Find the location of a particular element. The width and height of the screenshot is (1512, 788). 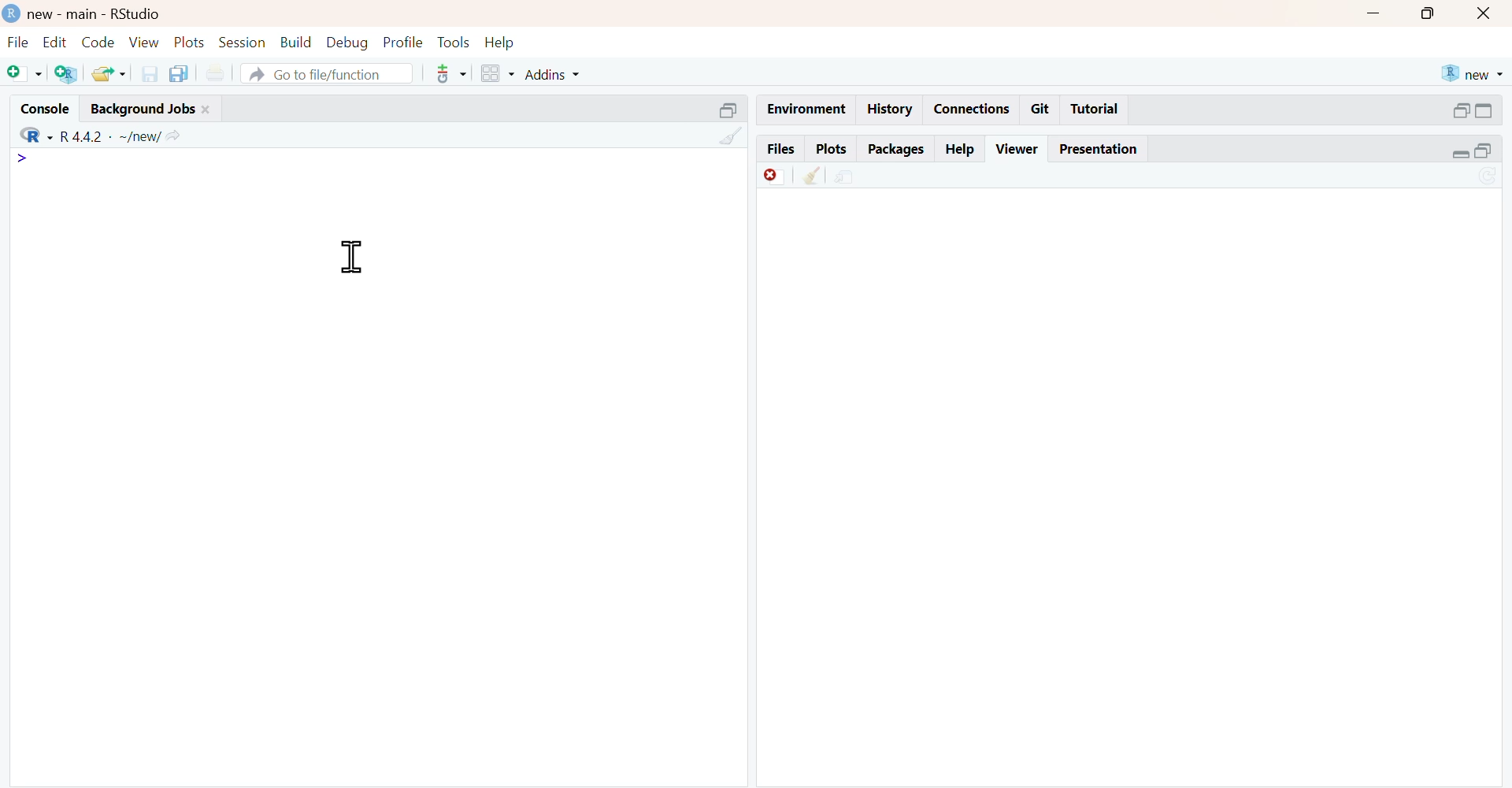

minimise is located at coordinates (1373, 13).